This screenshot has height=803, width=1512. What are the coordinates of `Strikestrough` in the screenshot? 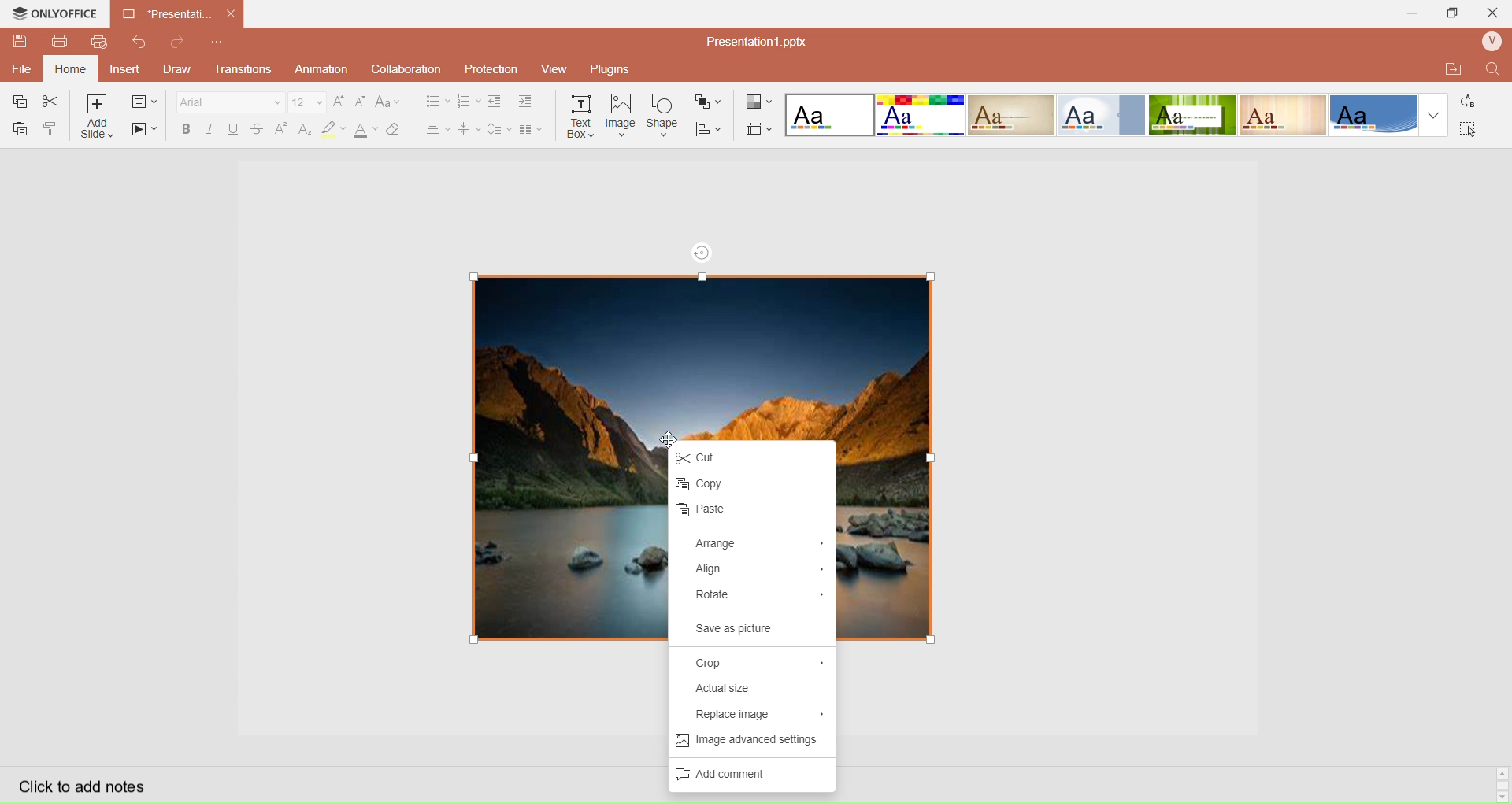 It's located at (256, 129).